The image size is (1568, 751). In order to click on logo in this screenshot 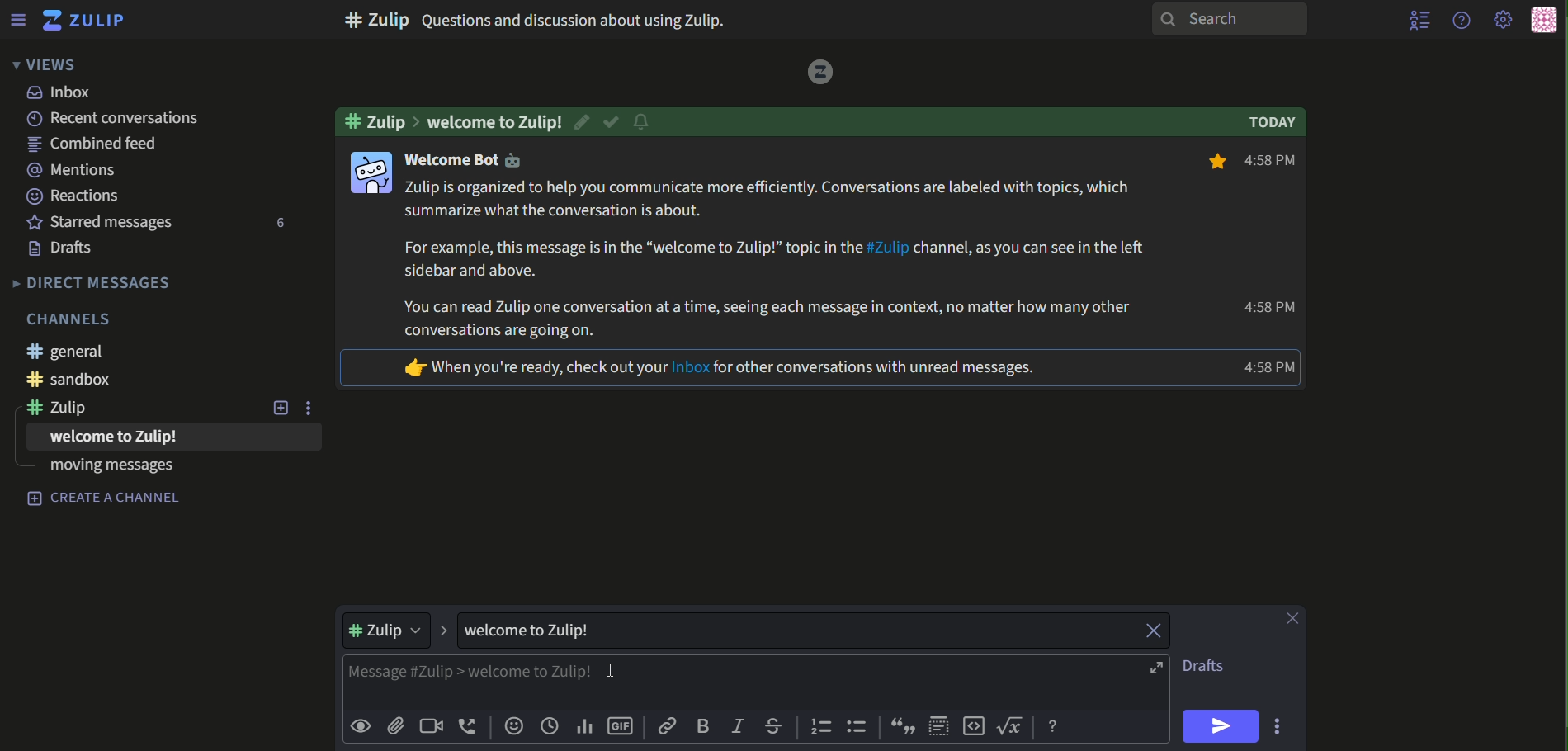, I will do `click(816, 73)`.